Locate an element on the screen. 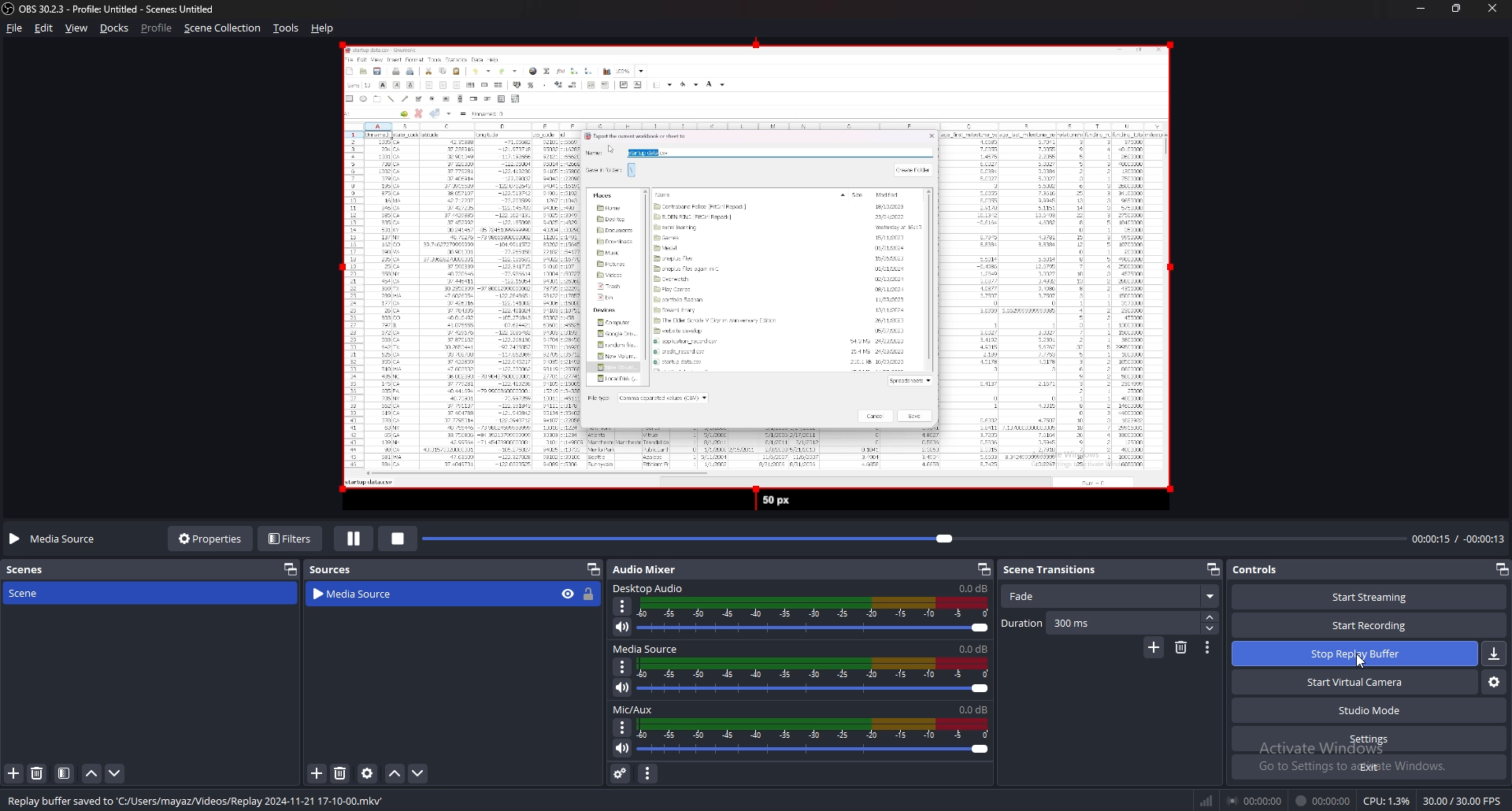 The image size is (1512, 811). media is located at coordinates (748, 278).